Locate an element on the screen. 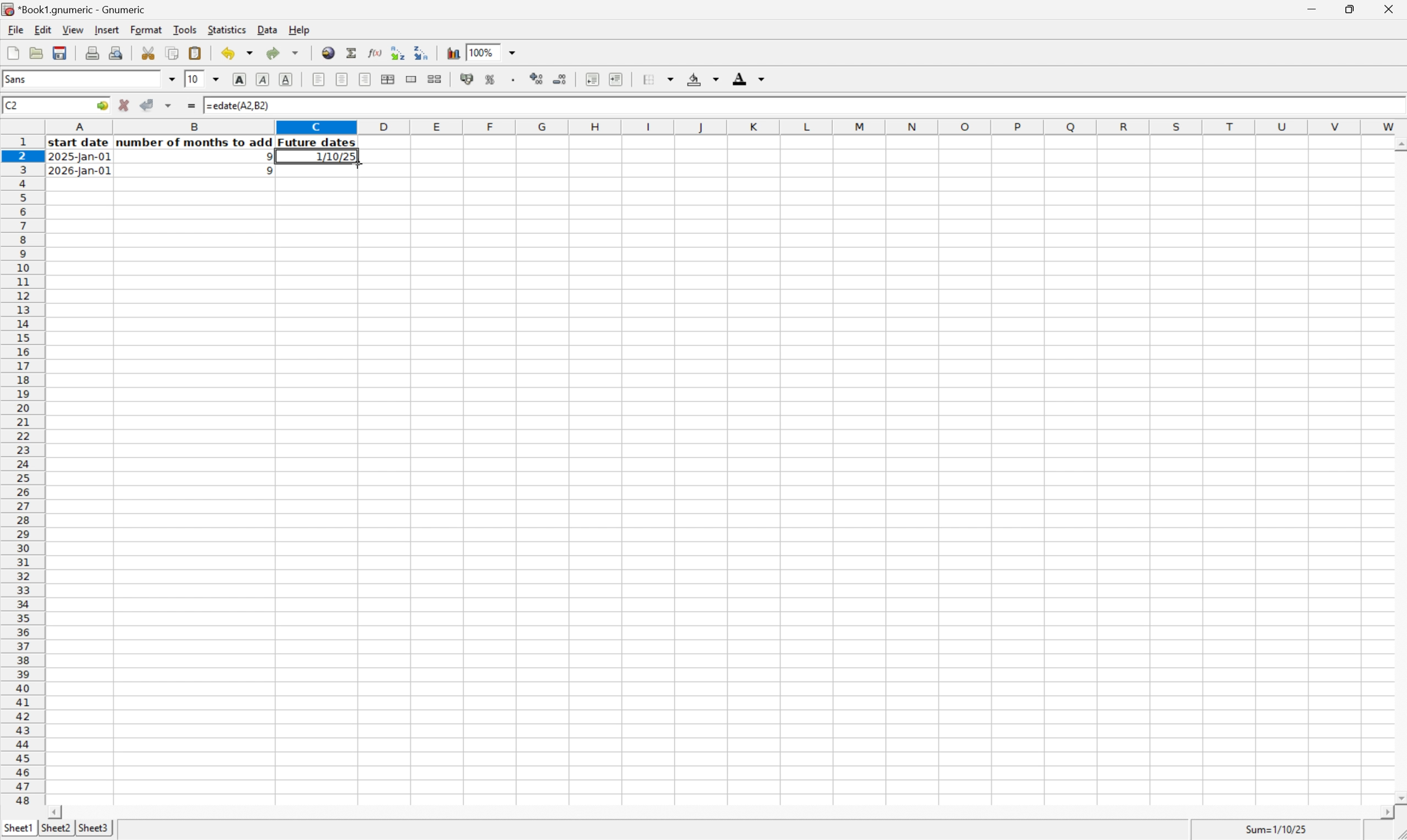 This screenshot has height=840, width=1407. Redo is located at coordinates (281, 52).